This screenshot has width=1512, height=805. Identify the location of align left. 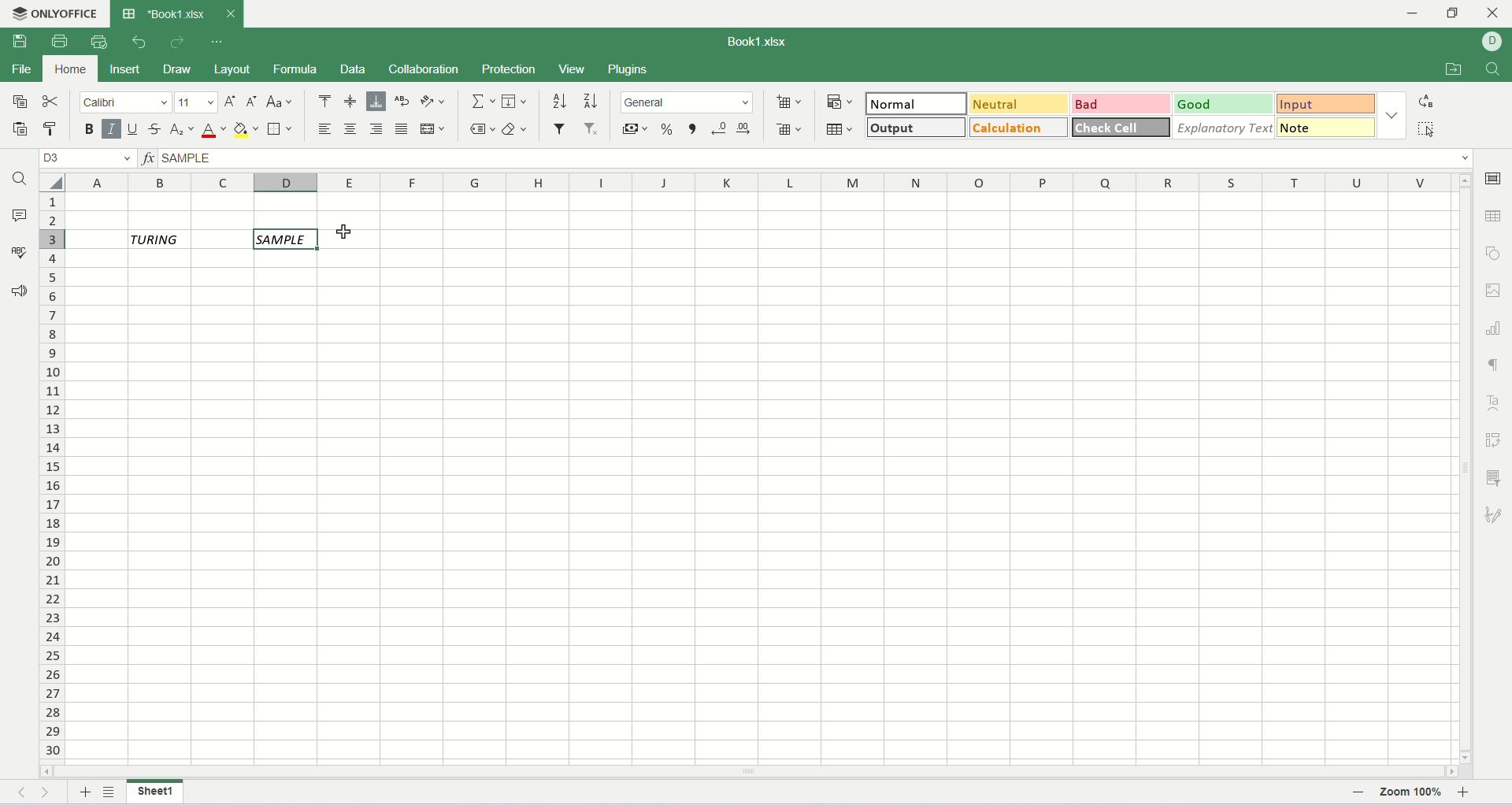
(328, 128).